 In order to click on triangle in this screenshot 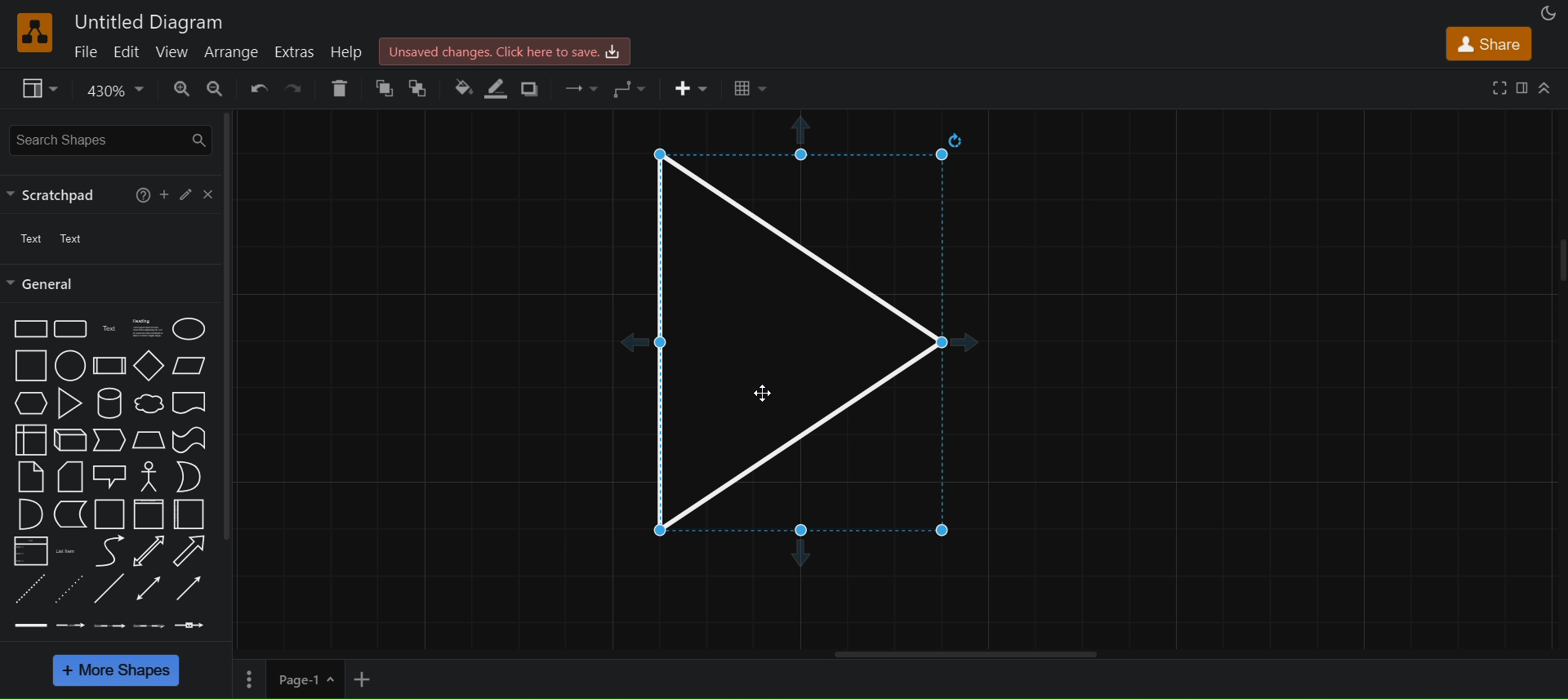, I will do `click(809, 349)`.